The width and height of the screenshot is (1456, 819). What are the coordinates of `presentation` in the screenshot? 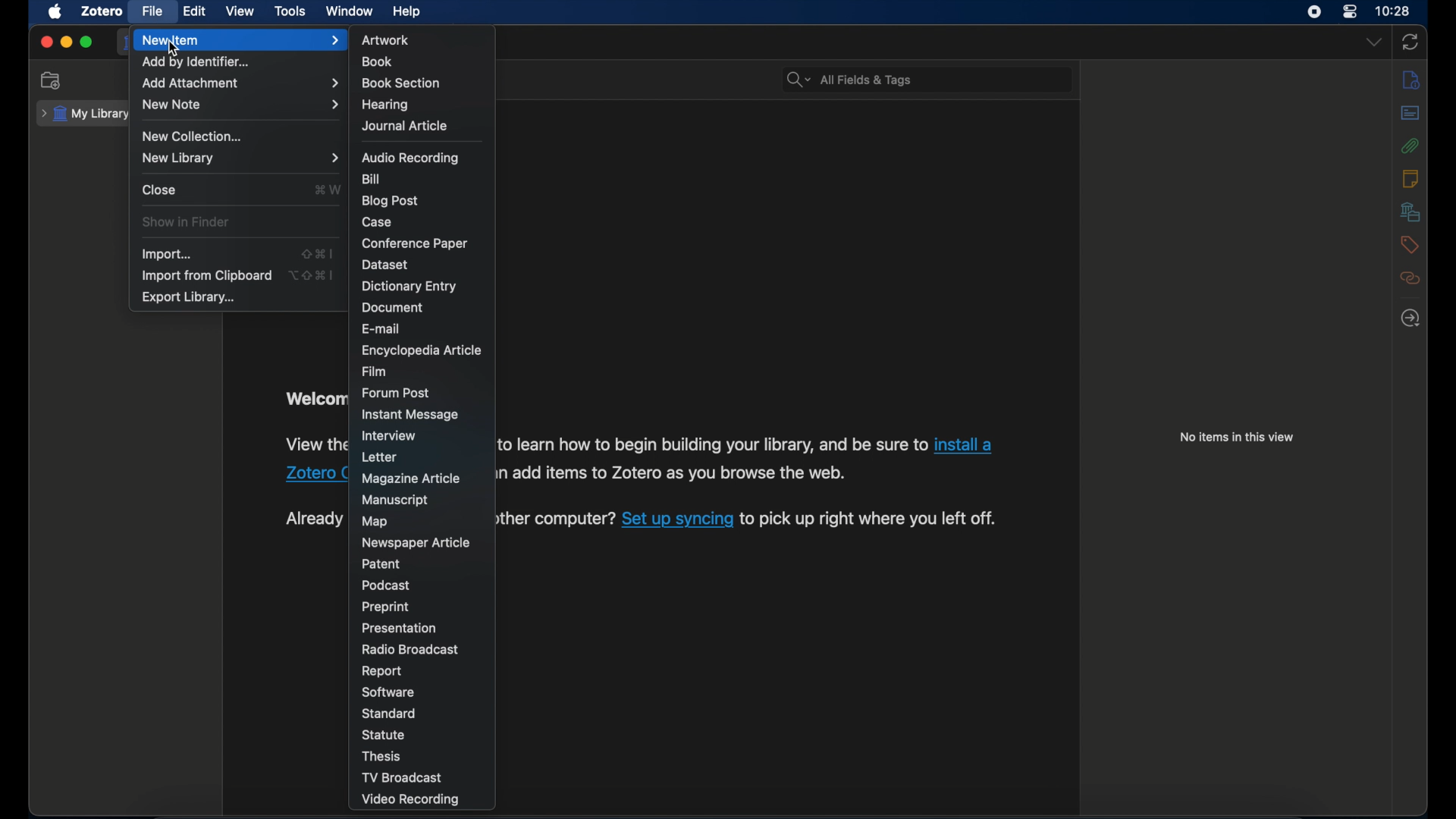 It's located at (400, 629).